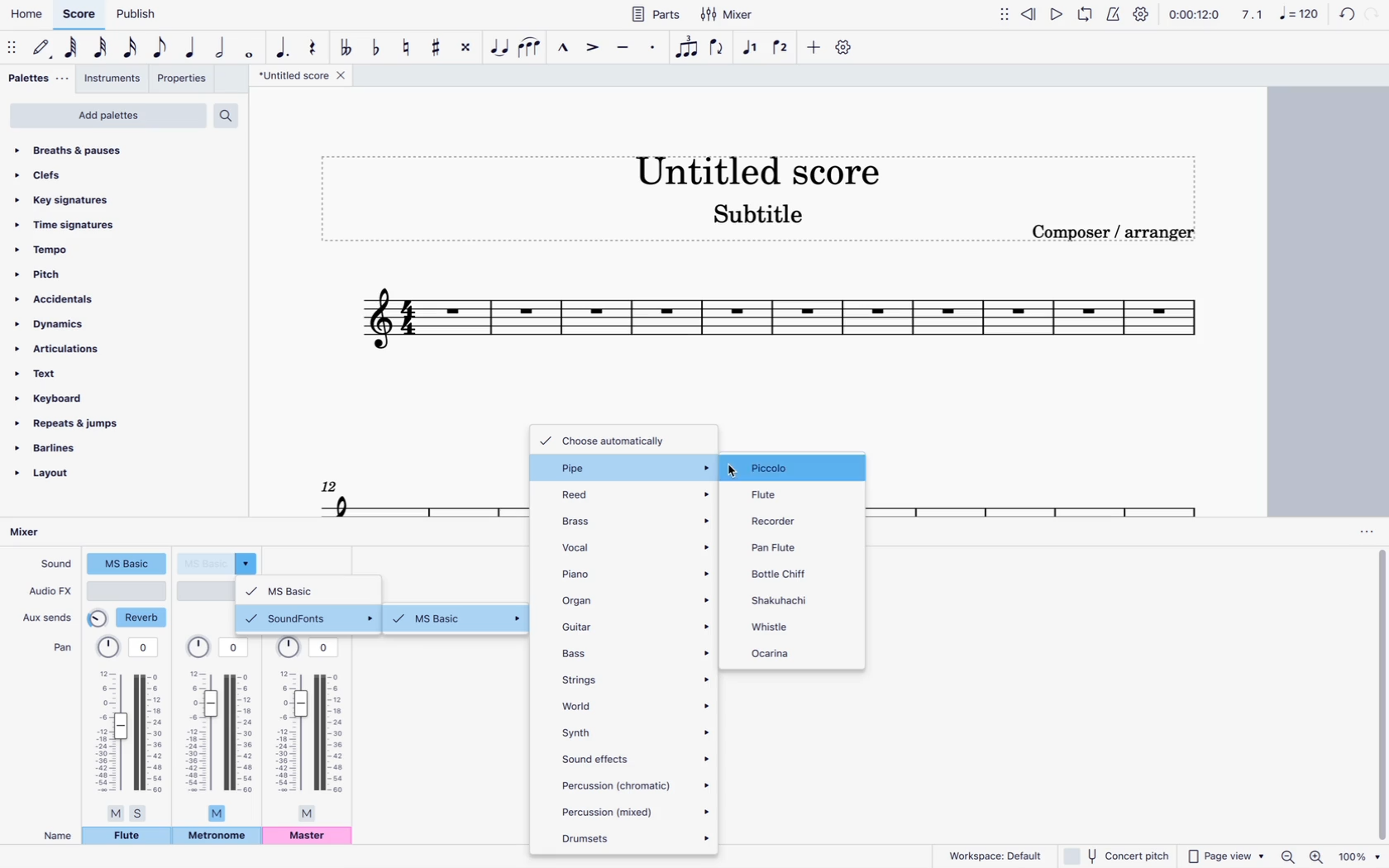 This screenshot has height=868, width=1389. Describe the element at coordinates (391, 494) in the screenshot. I see `score` at that location.